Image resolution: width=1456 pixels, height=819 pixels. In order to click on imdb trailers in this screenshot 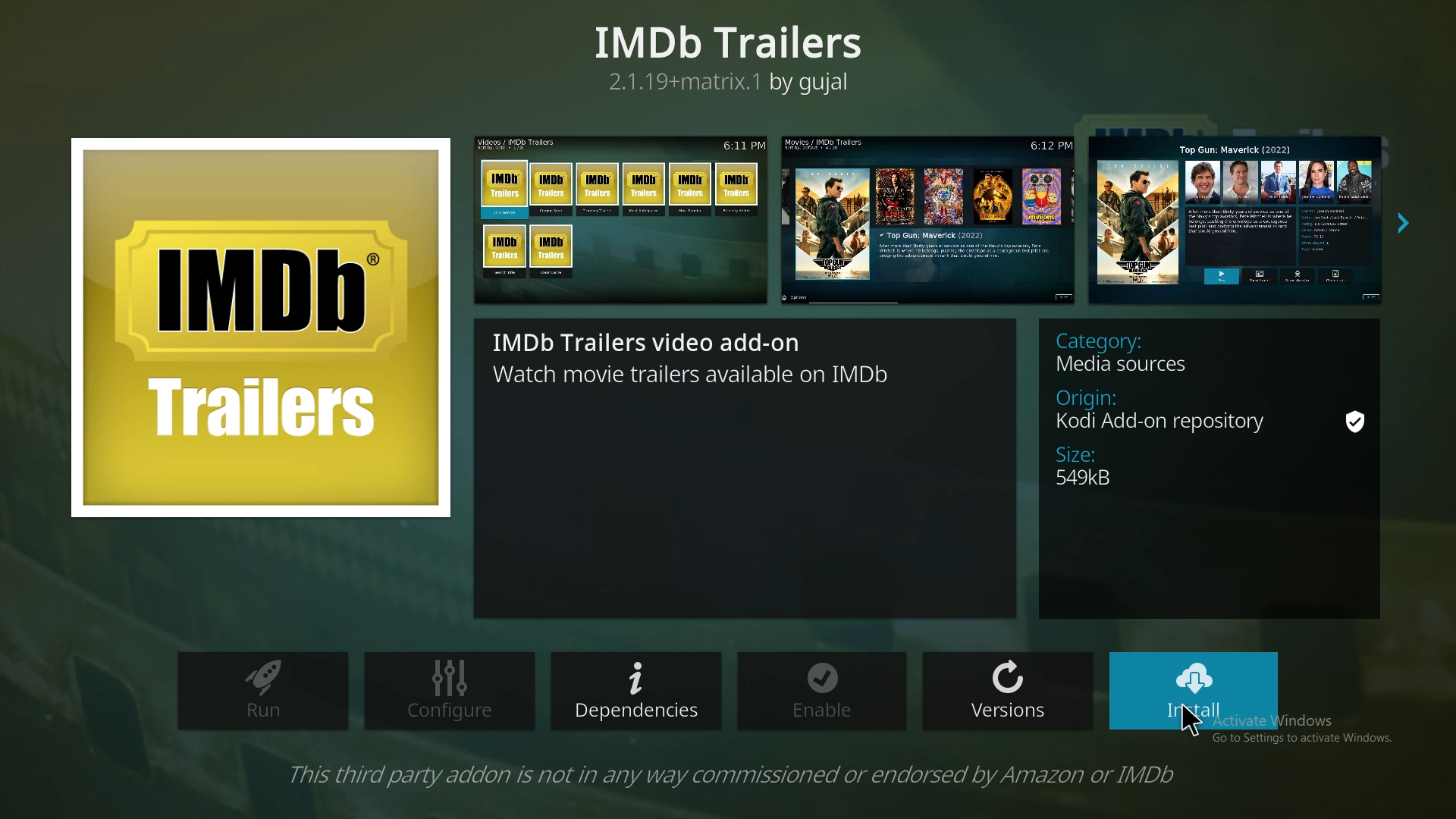, I will do `click(733, 55)`.